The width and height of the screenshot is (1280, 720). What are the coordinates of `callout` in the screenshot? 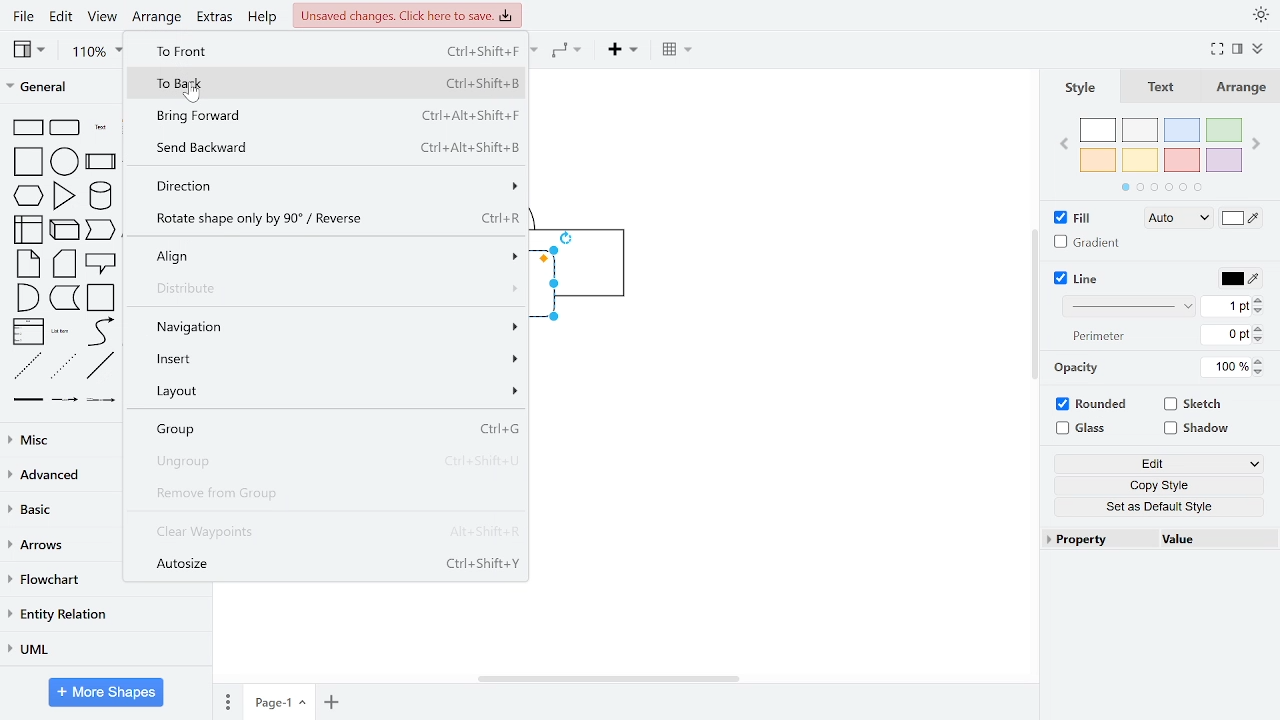 It's located at (101, 262).